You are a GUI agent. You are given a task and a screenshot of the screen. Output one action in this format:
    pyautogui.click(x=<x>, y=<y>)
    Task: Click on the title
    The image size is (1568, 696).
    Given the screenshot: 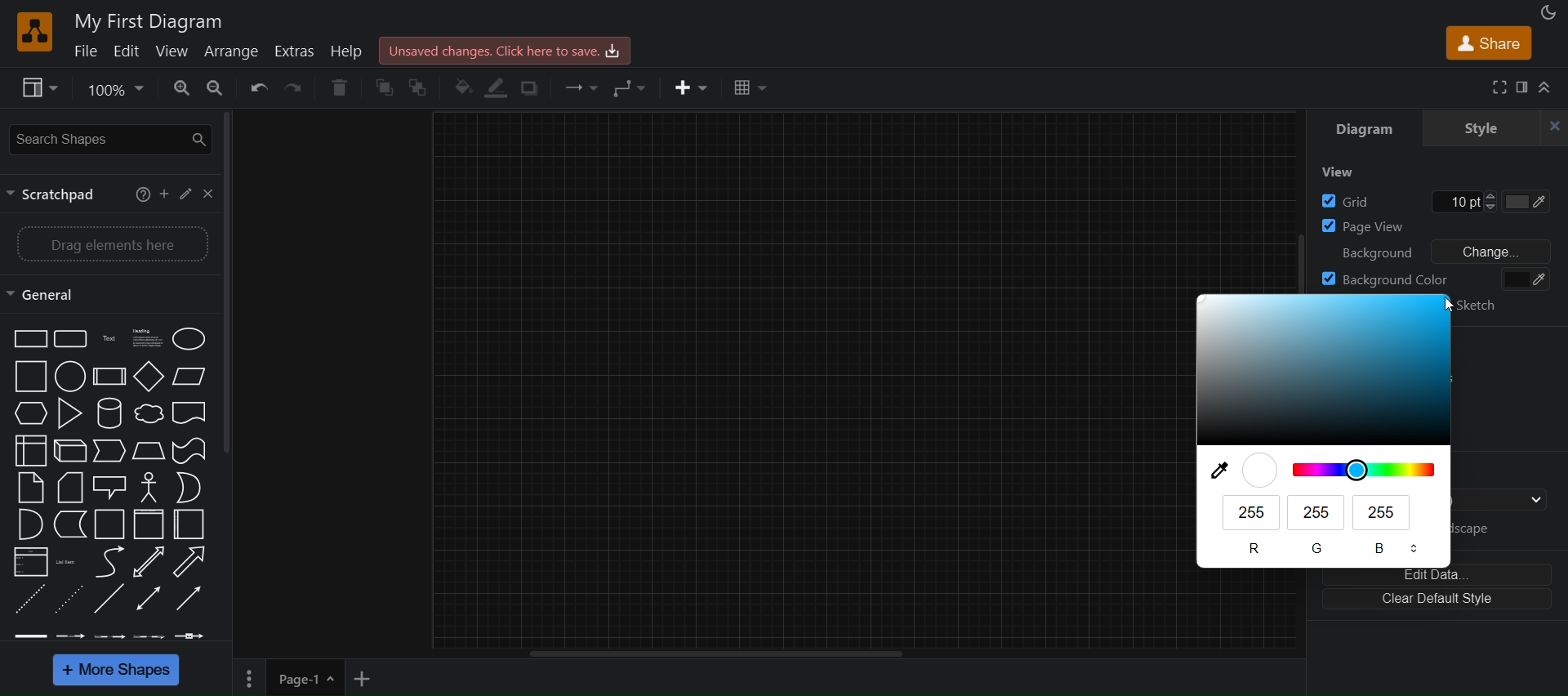 What is the action you would take?
    pyautogui.click(x=148, y=20)
    